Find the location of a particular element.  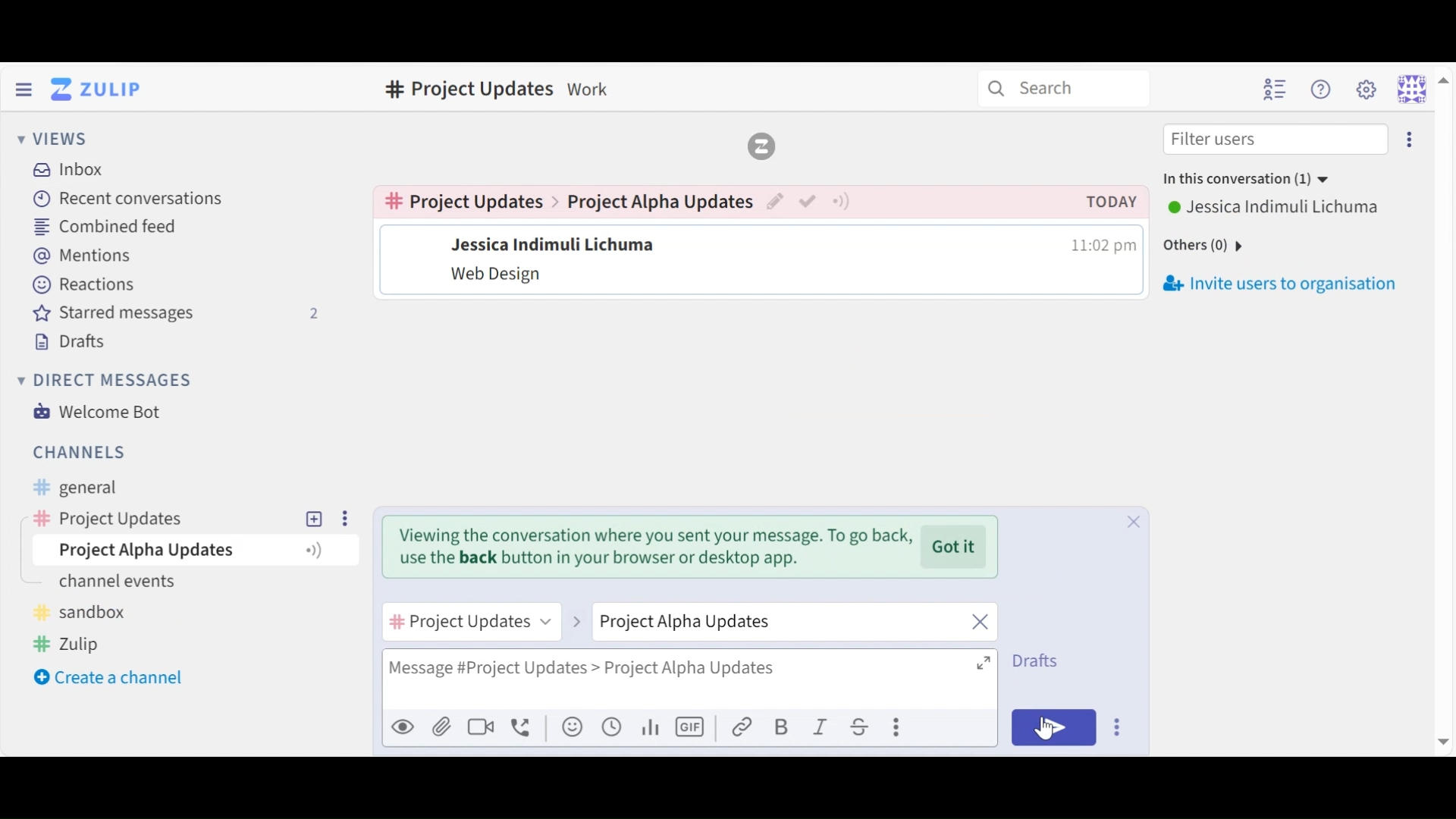

Personal menu is located at coordinates (1421, 88).